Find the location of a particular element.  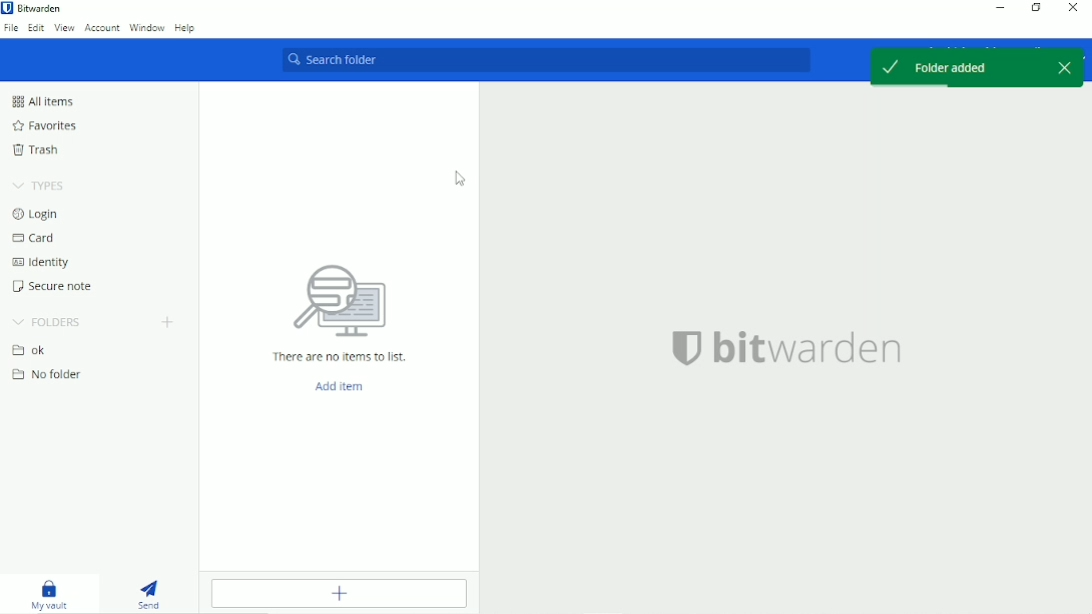

All Items is located at coordinates (44, 101).